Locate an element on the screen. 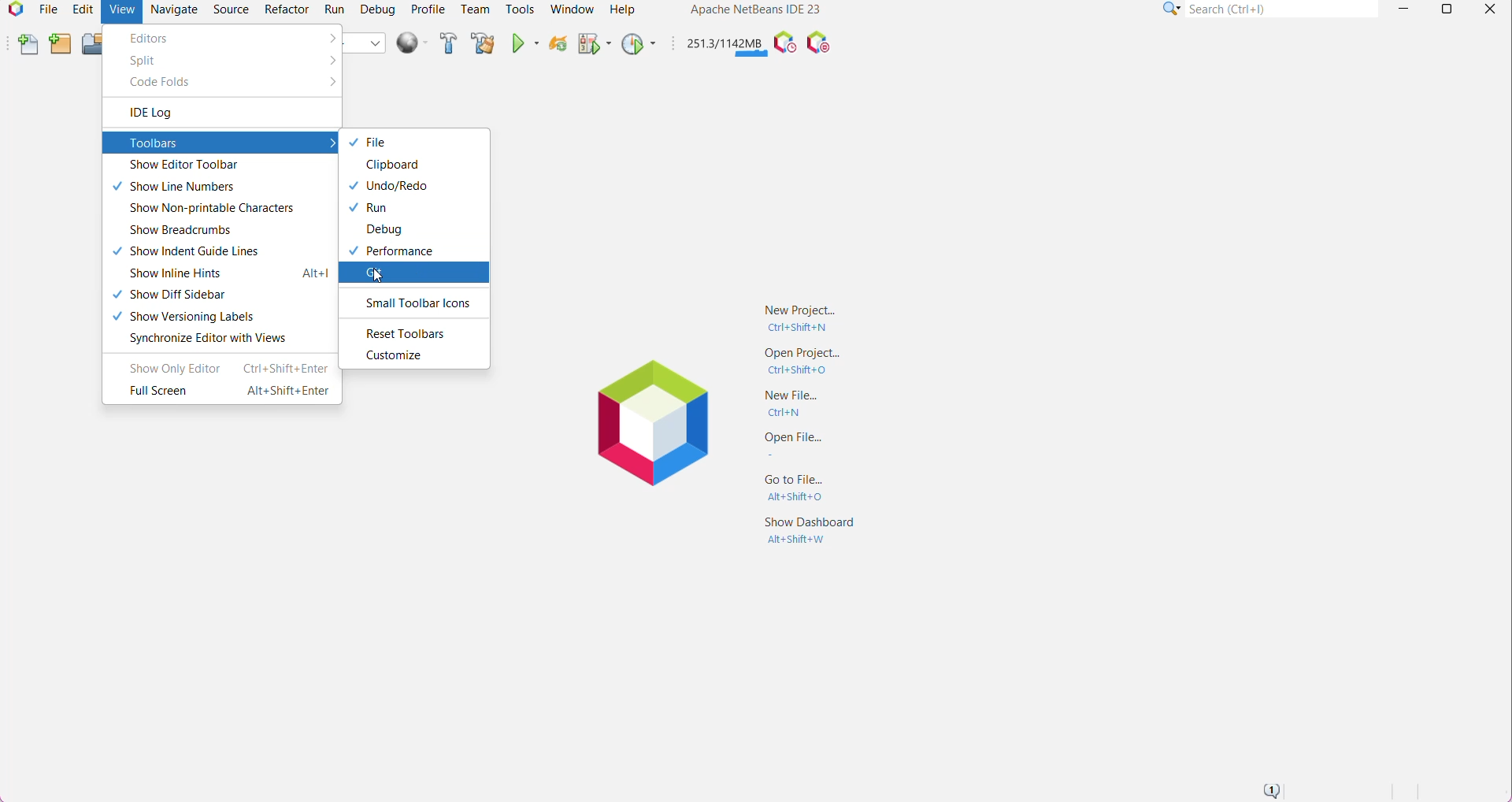  Show Editor Toolbar is located at coordinates (202, 165).